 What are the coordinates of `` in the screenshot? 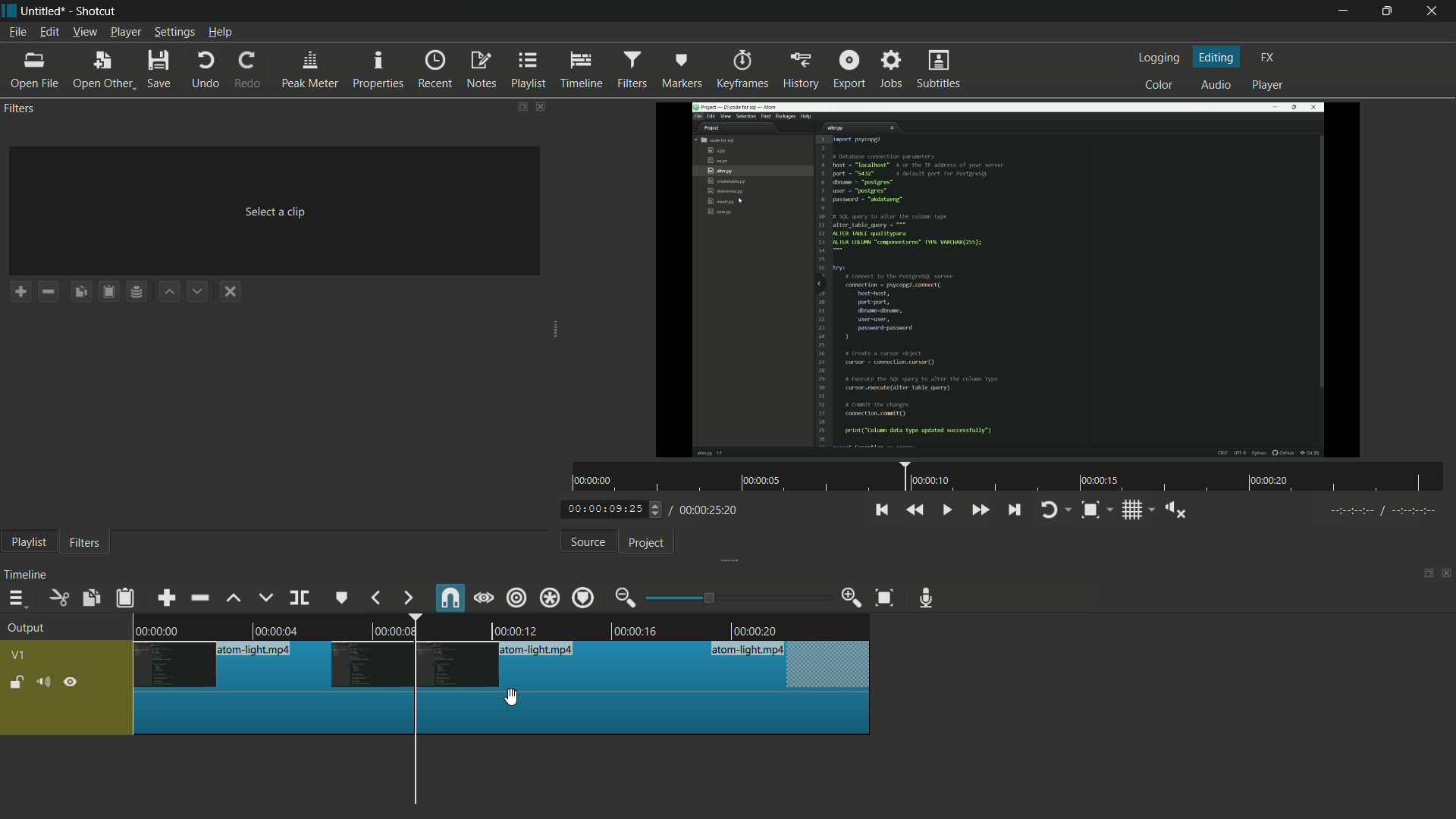 It's located at (1379, 513).